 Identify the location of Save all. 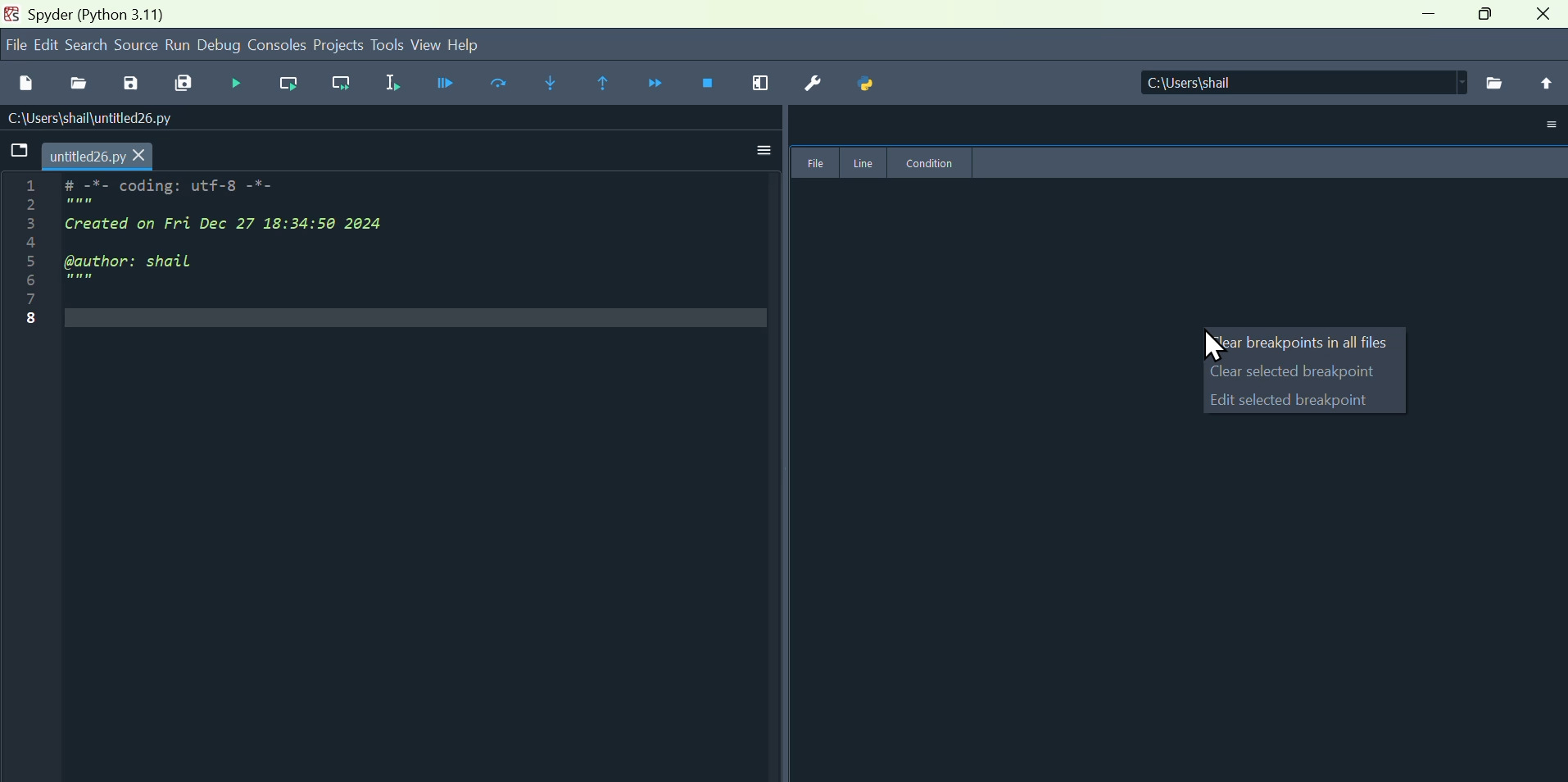
(186, 84).